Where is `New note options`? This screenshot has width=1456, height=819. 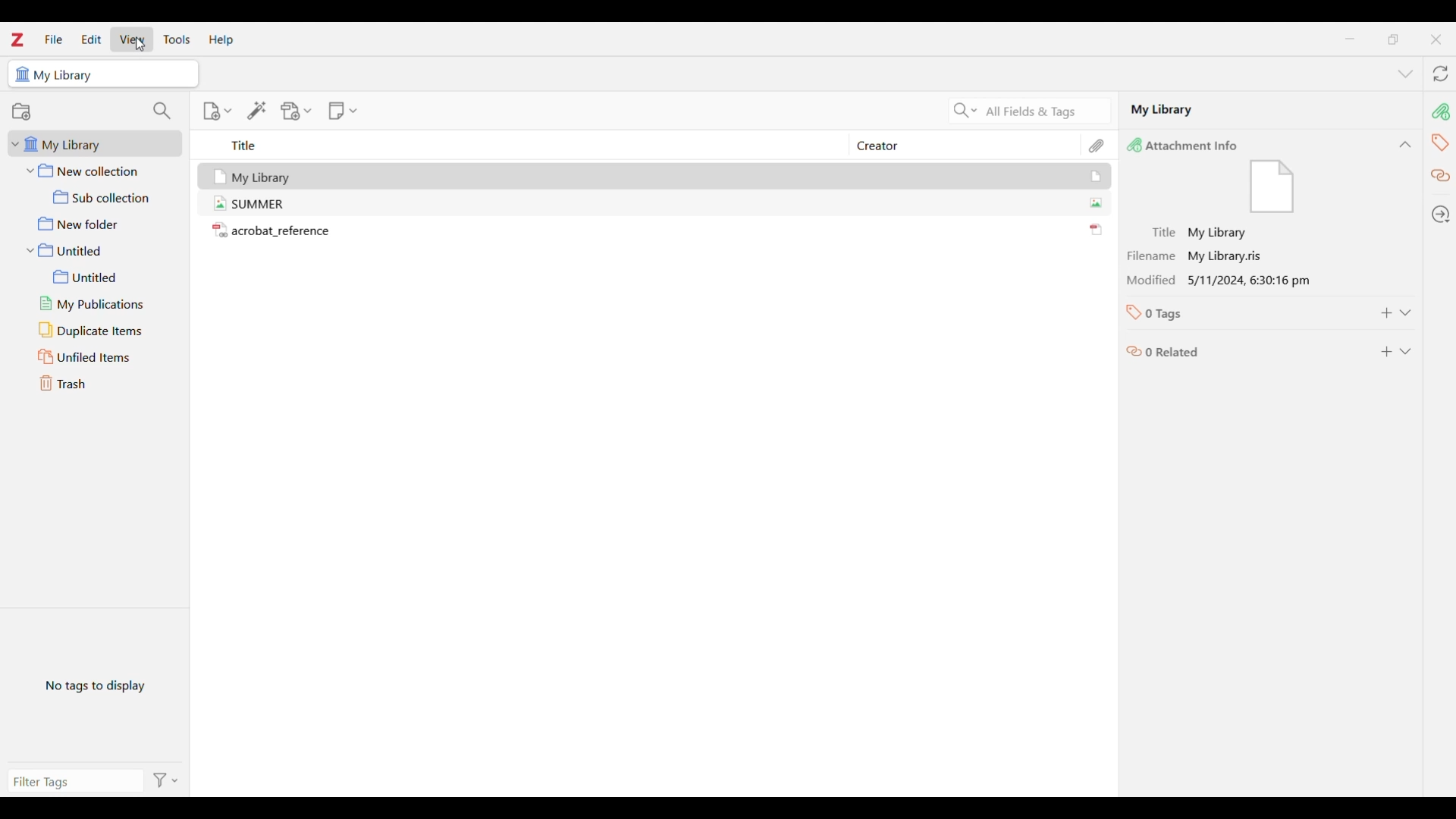 New note options is located at coordinates (343, 111).